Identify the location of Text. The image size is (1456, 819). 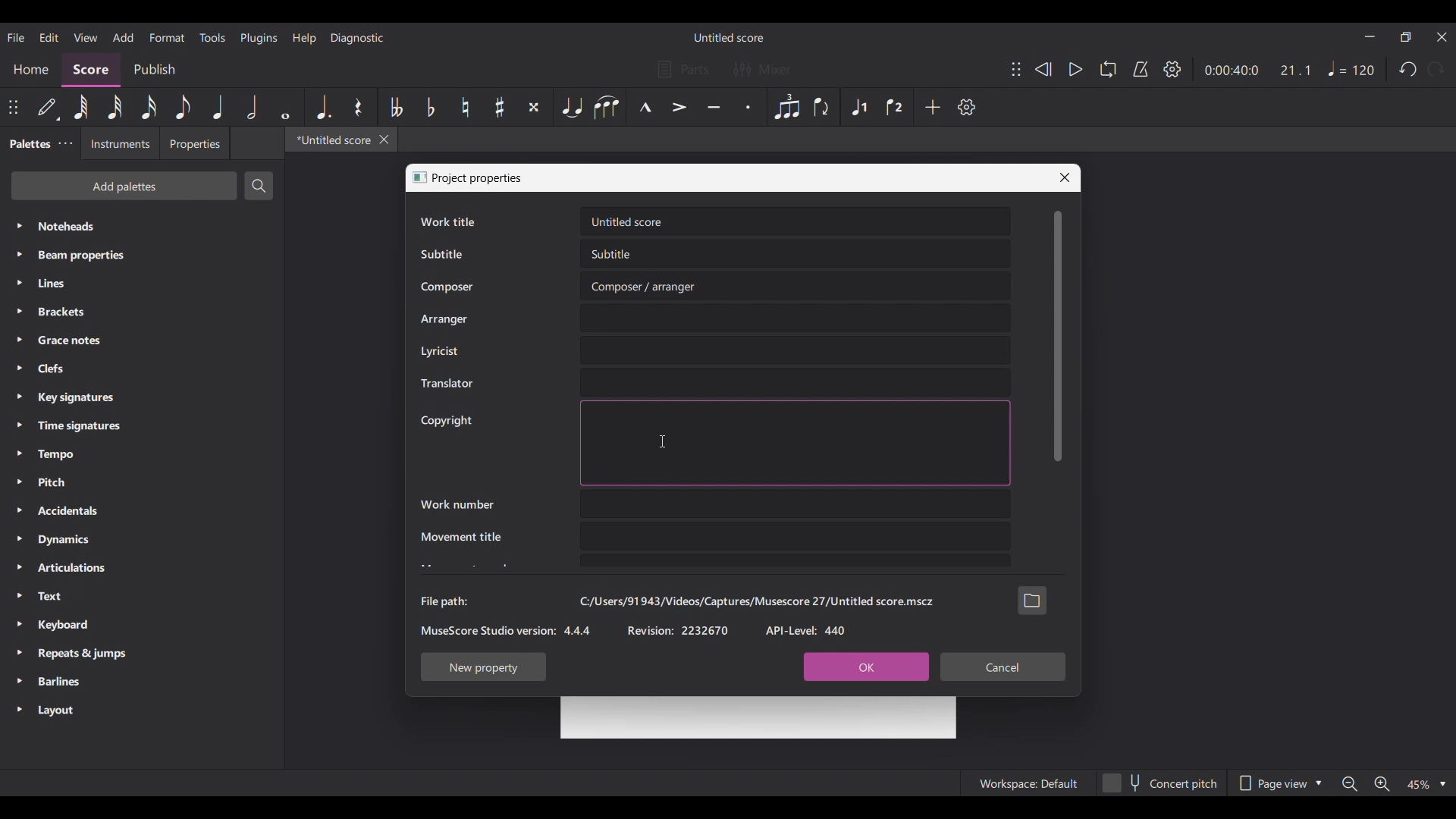
(142, 596).